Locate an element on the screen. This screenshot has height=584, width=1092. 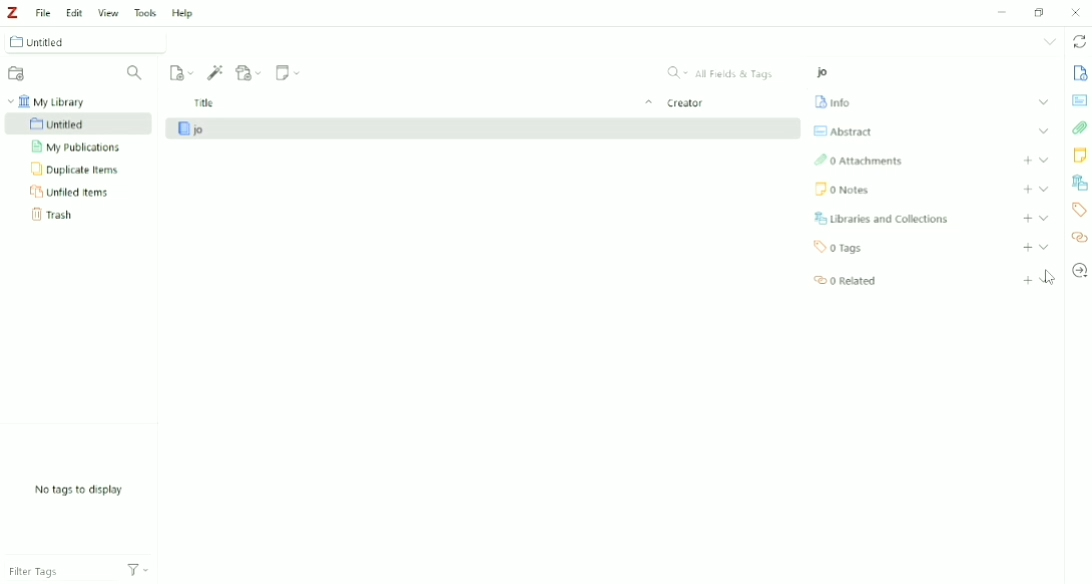
Add is located at coordinates (1028, 247).